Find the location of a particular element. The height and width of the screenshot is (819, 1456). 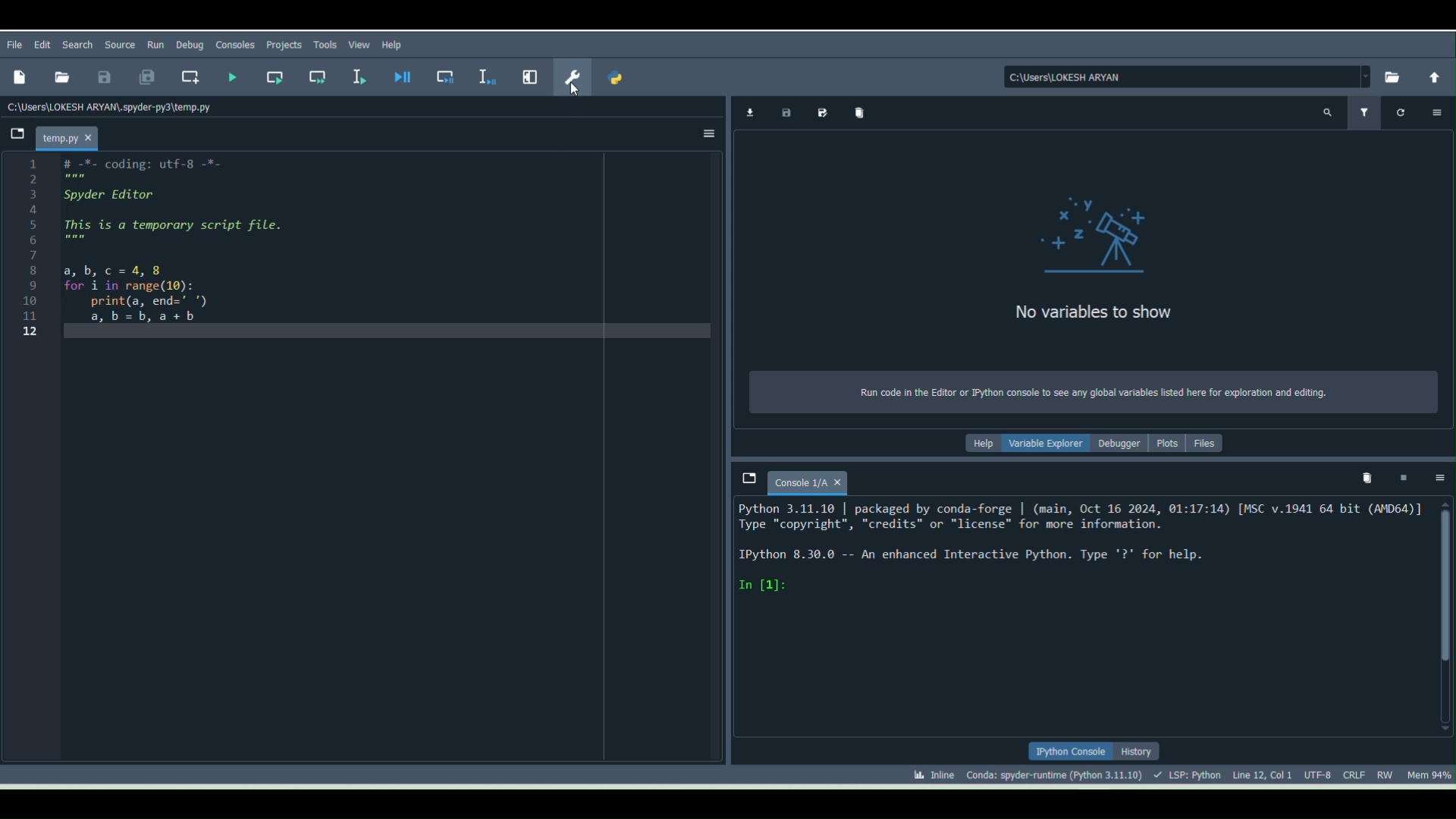

File permissions is located at coordinates (1387, 772).